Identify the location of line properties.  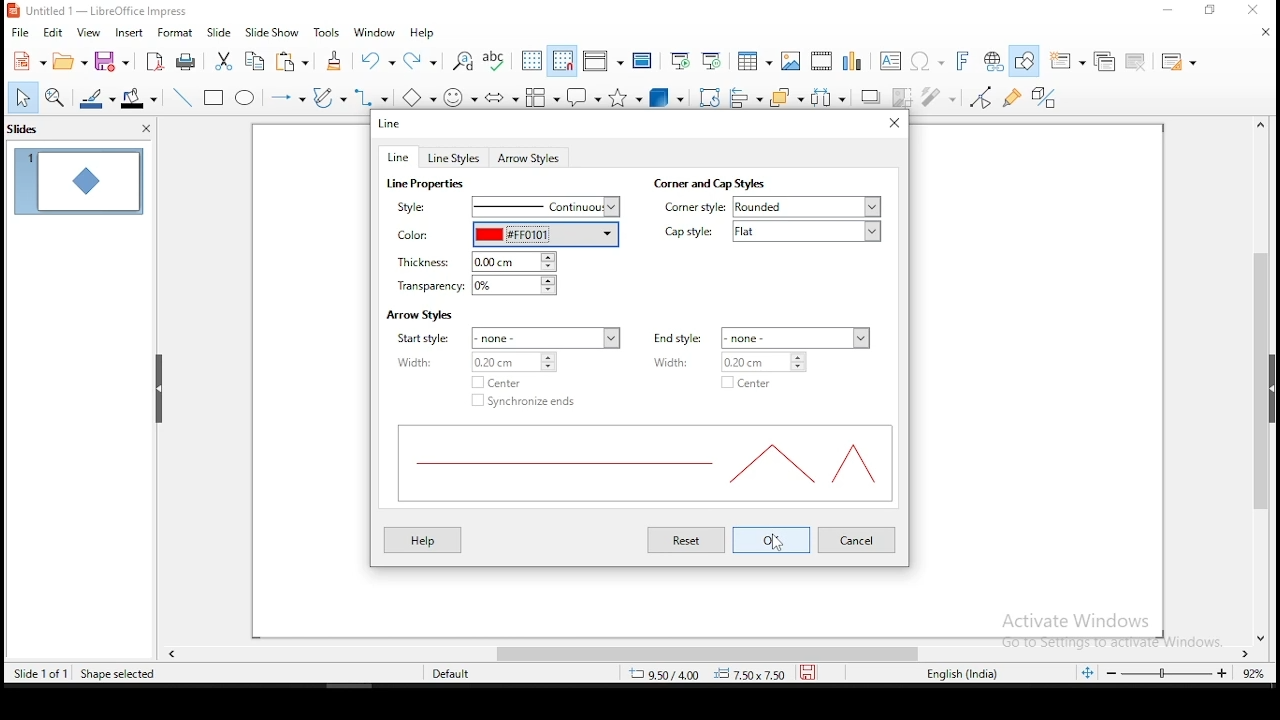
(428, 184).